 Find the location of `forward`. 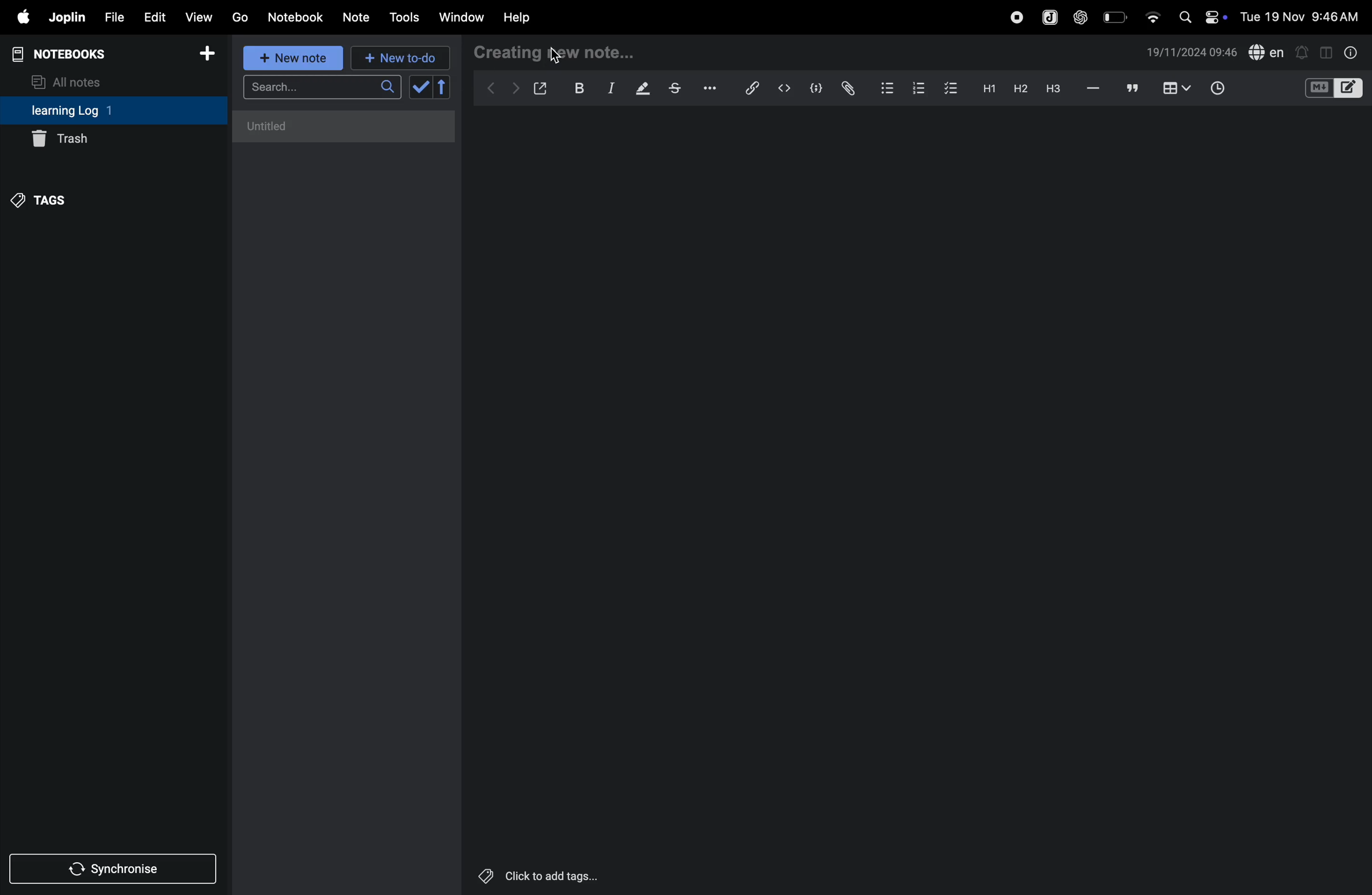

forward is located at coordinates (515, 88).